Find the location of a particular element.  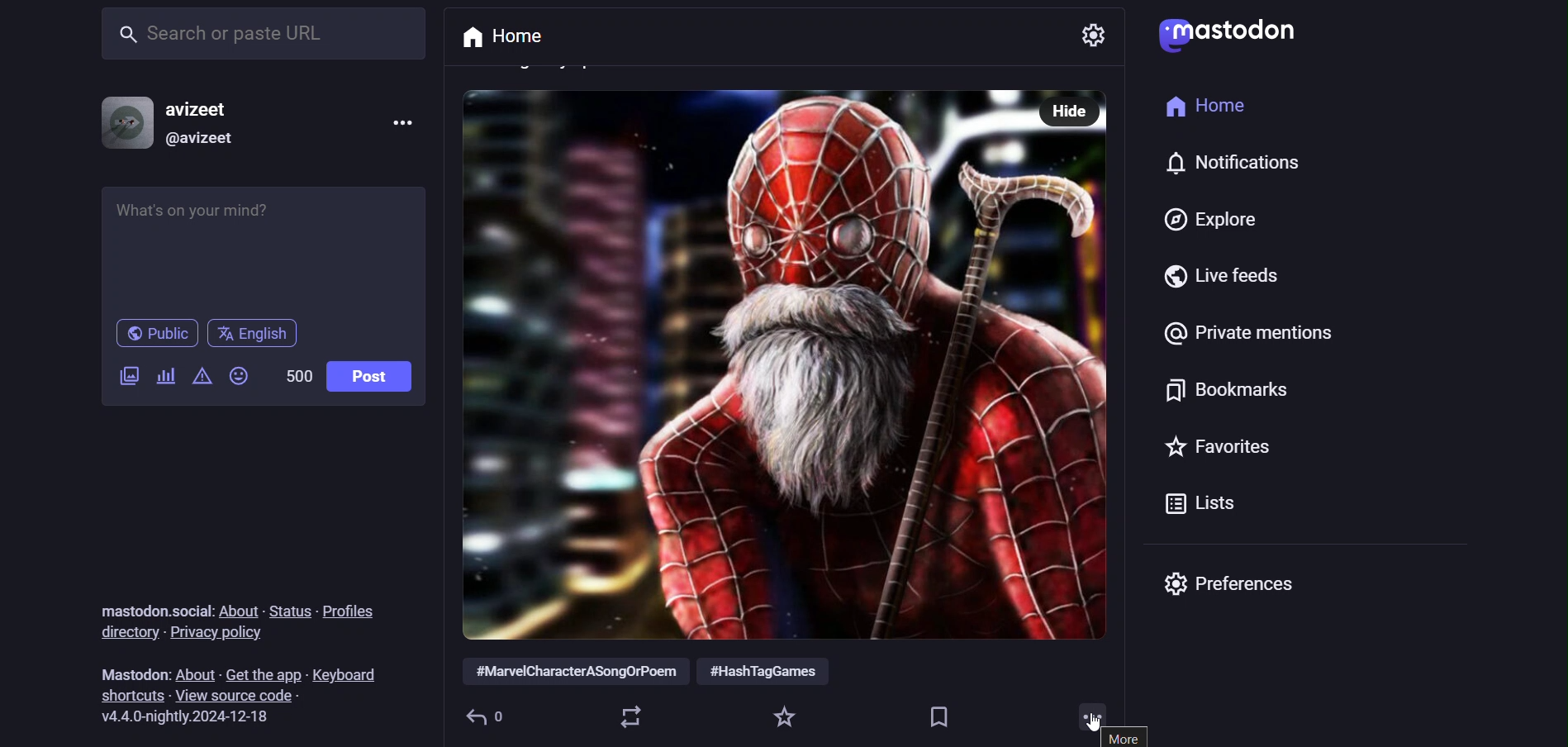

profile picture is located at coordinates (118, 124).